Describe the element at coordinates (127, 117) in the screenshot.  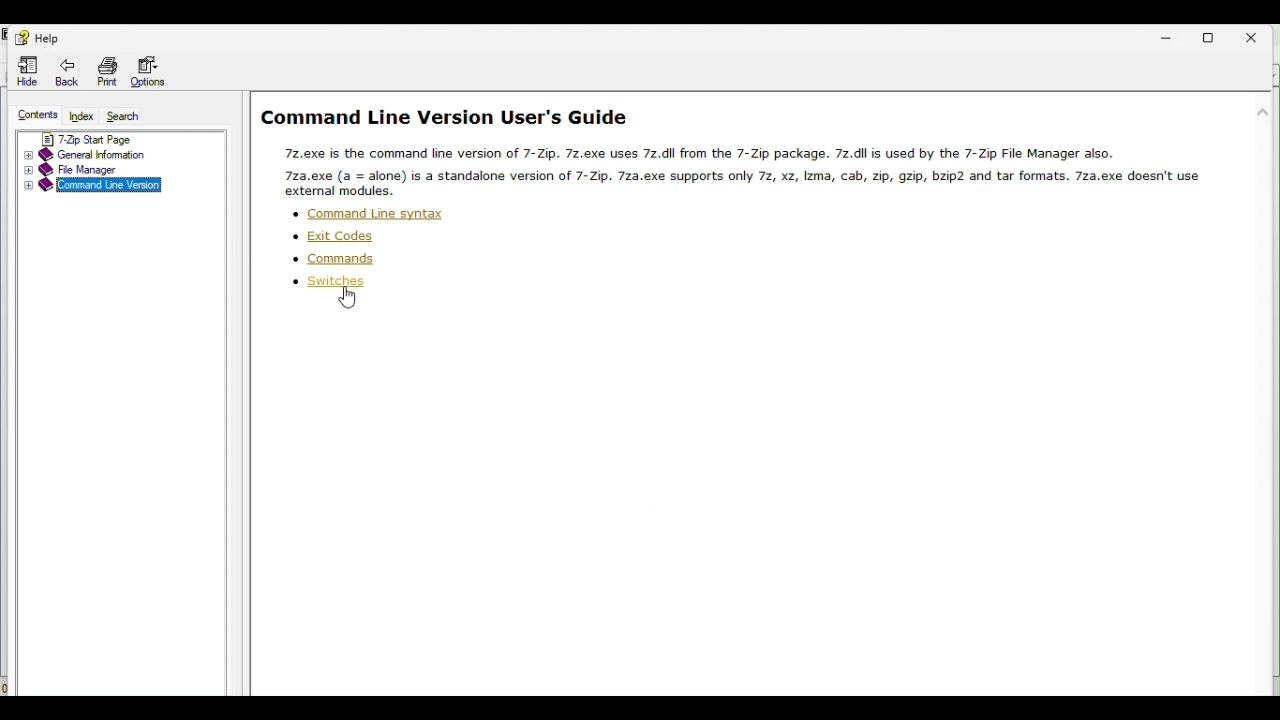
I see `Search` at that location.